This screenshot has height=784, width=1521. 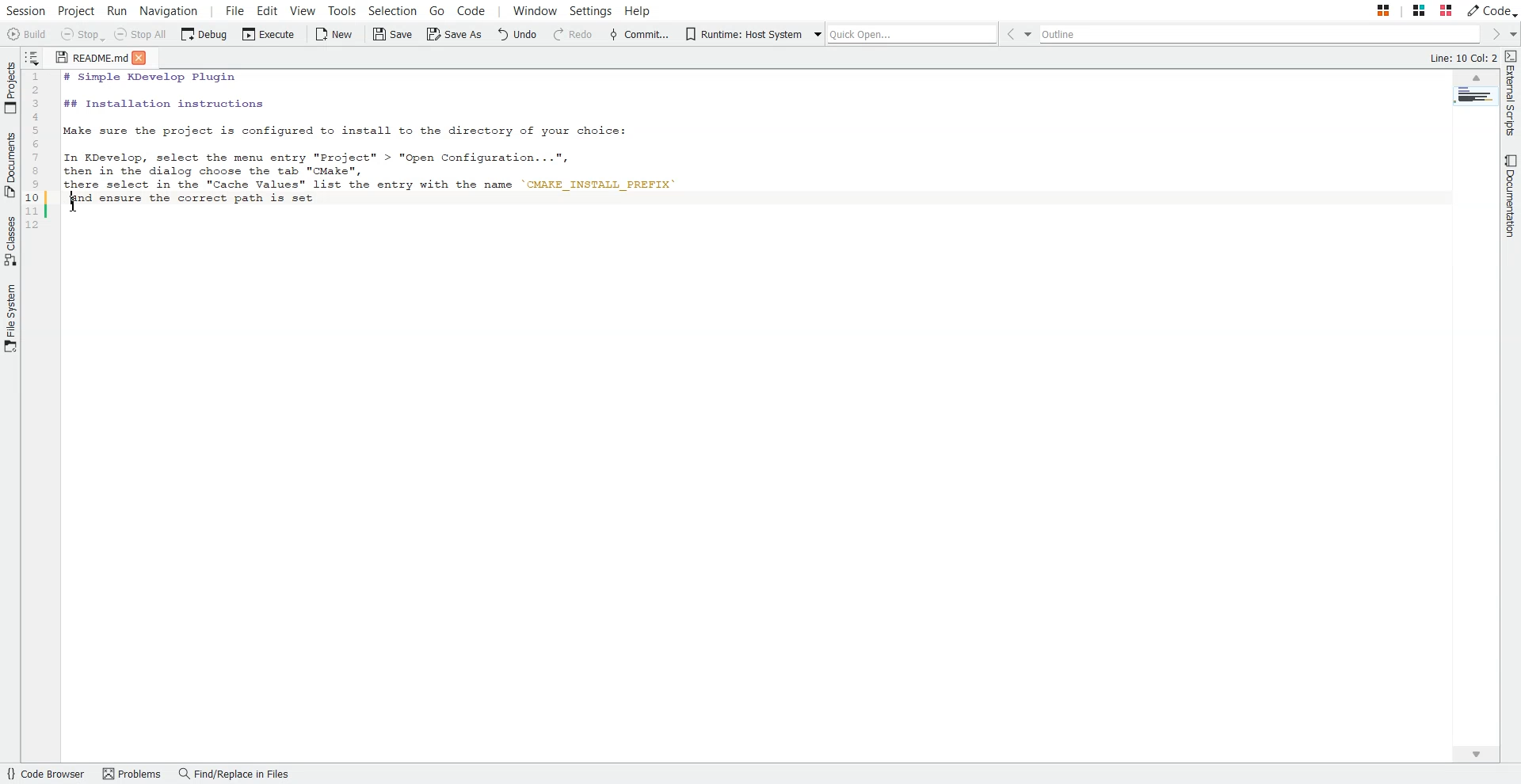 I want to click on Quick Open, so click(x=907, y=33).